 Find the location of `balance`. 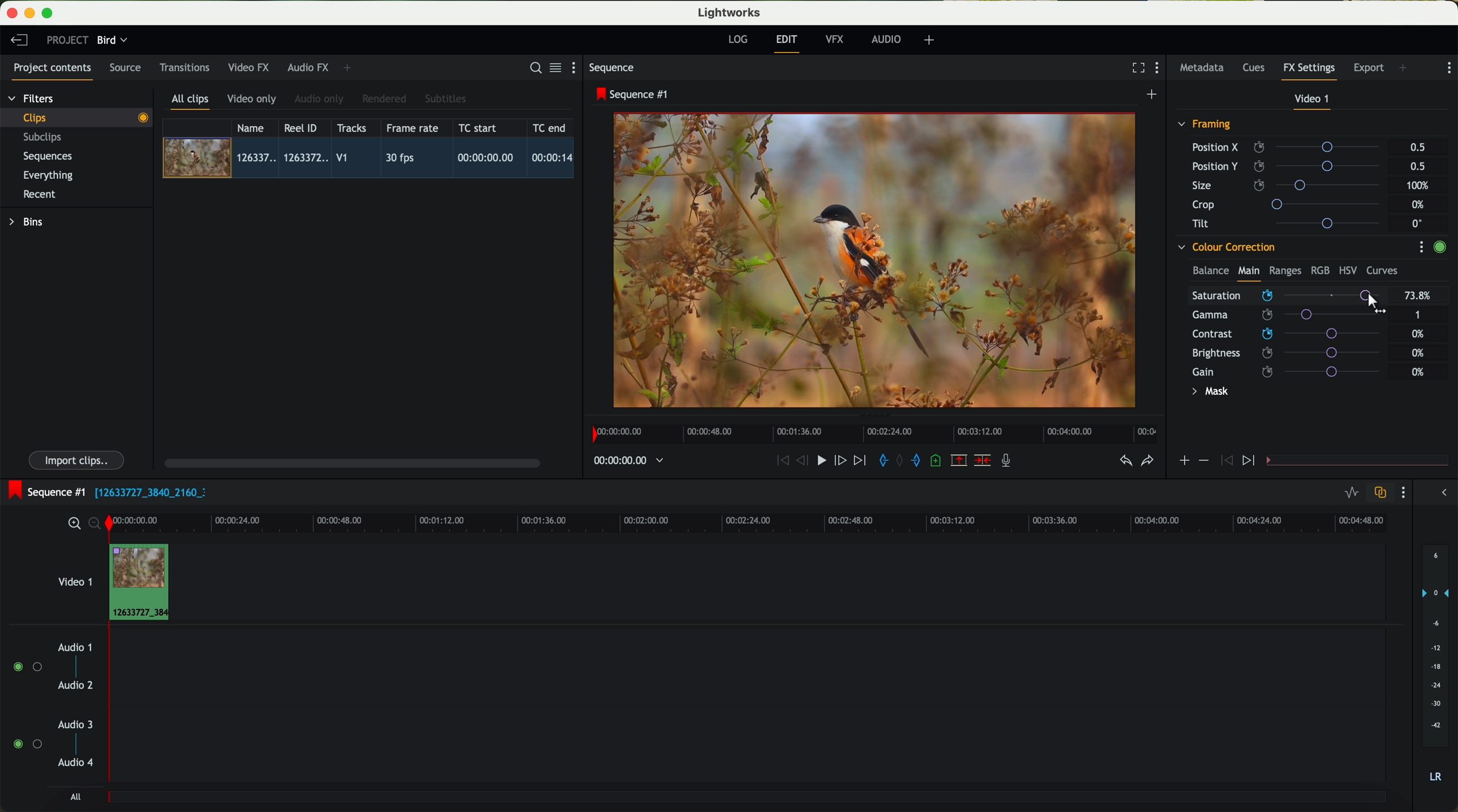

balance is located at coordinates (1211, 272).